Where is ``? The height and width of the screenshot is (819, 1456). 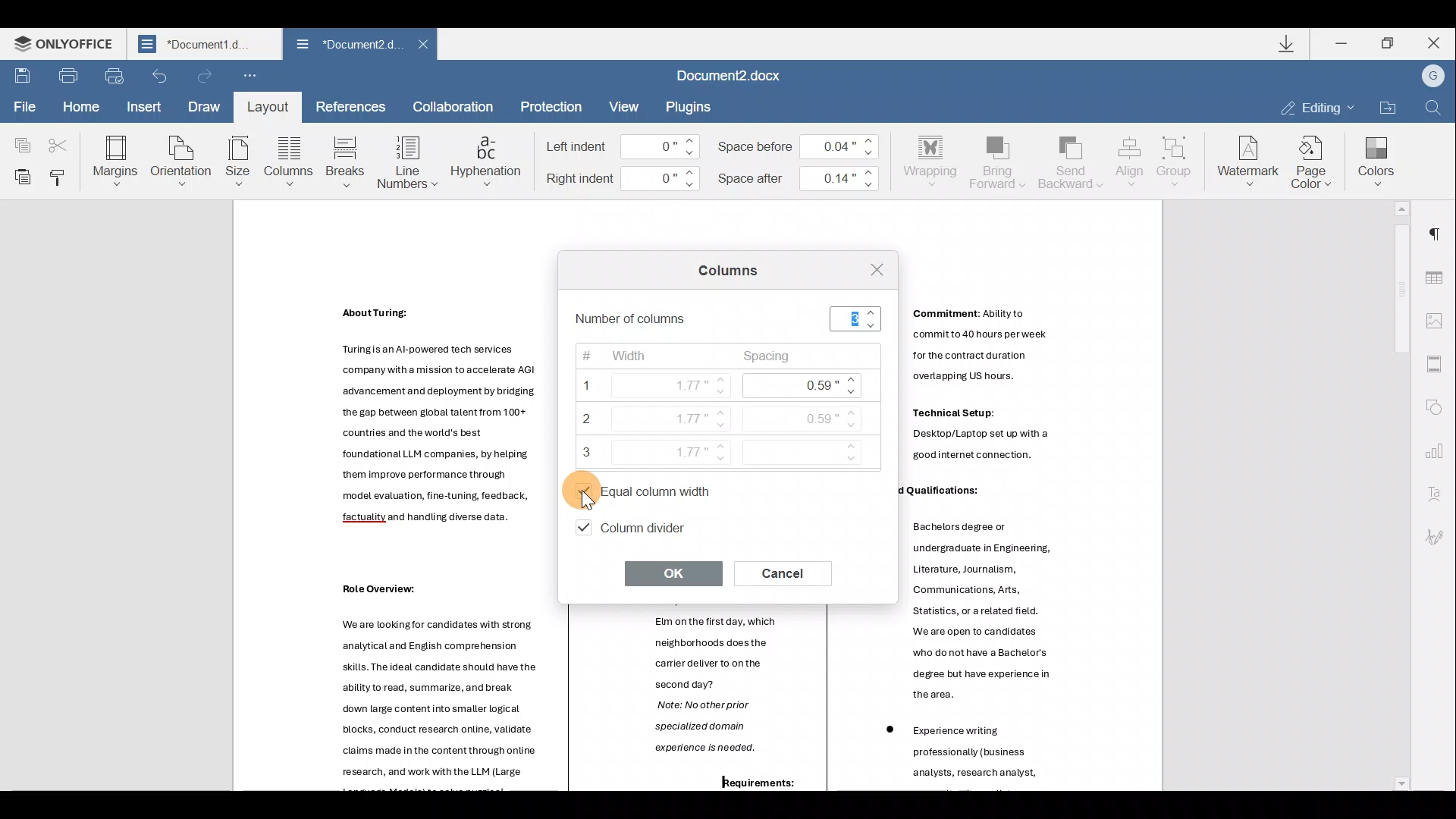
 is located at coordinates (383, 313).